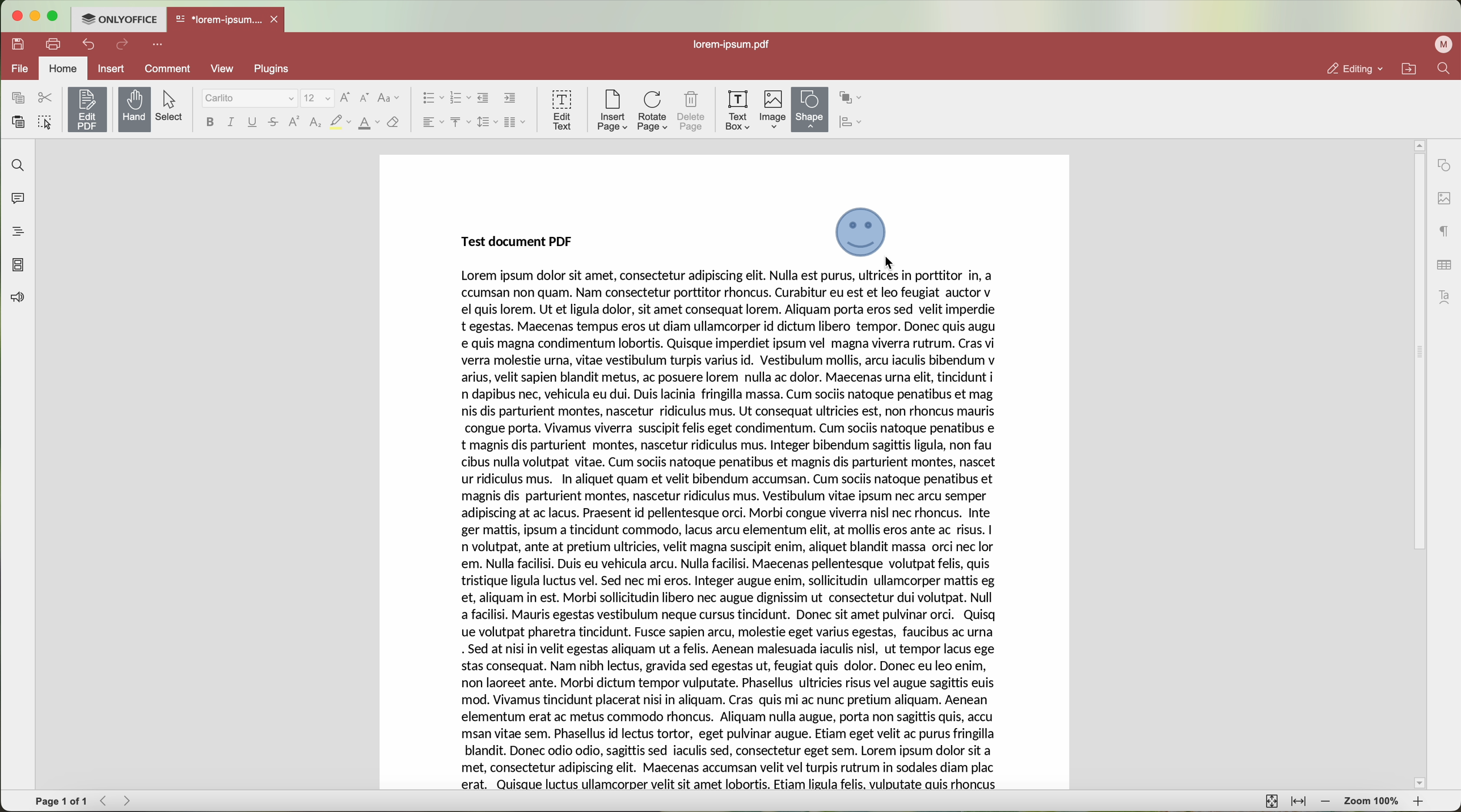  What do you see at coordinates (430, 122) in the screenshot?
I see `horizontal align` at bounding box center [430, 122].